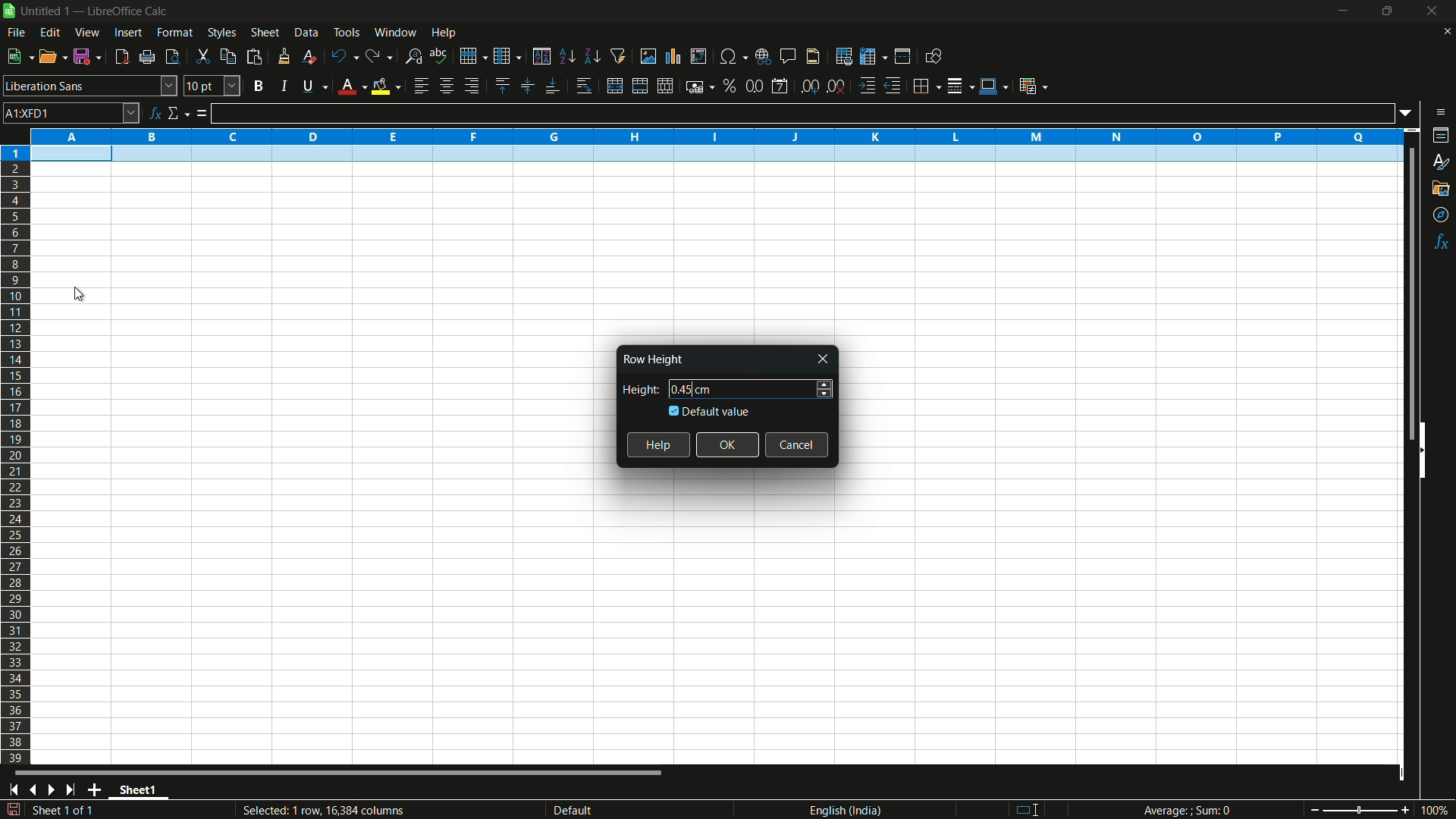 The image size is (1456, 819). Describe the element at coordinates (673, 55) in the screenshot. I see `insert chart` at that location.